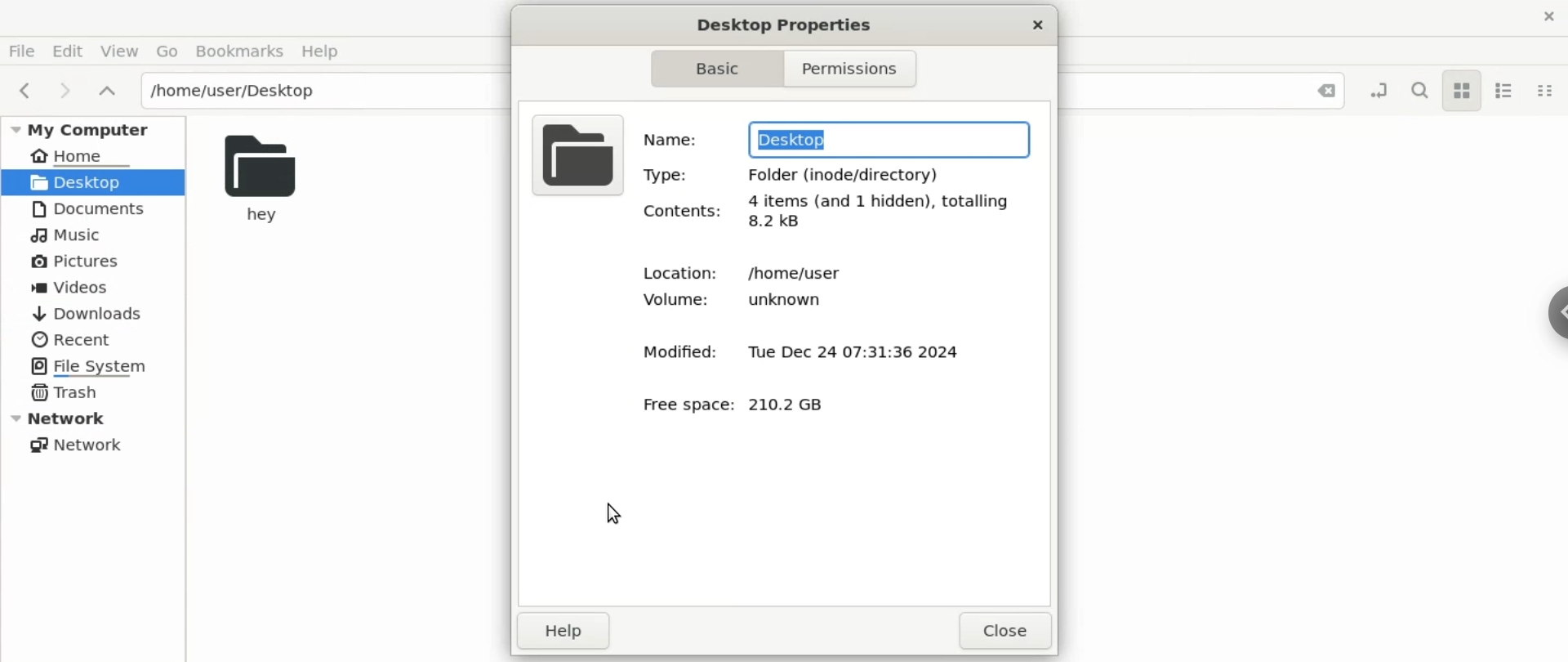 Image resolution: width=1568 pixels, height=662 pixels. Describe the element at coordinates (71, 50) in the screenshot. I see `edit` at that location.